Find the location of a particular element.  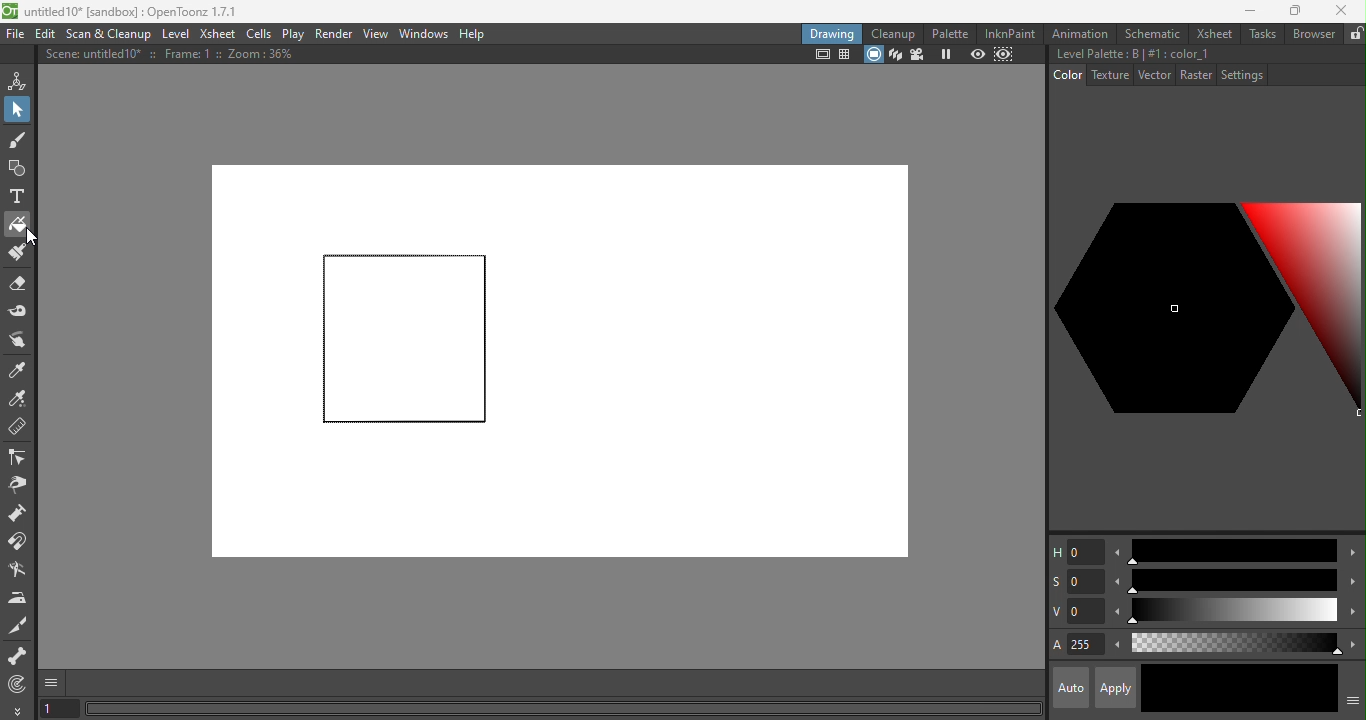

Style picker tool is located at coordinates (22, 368).